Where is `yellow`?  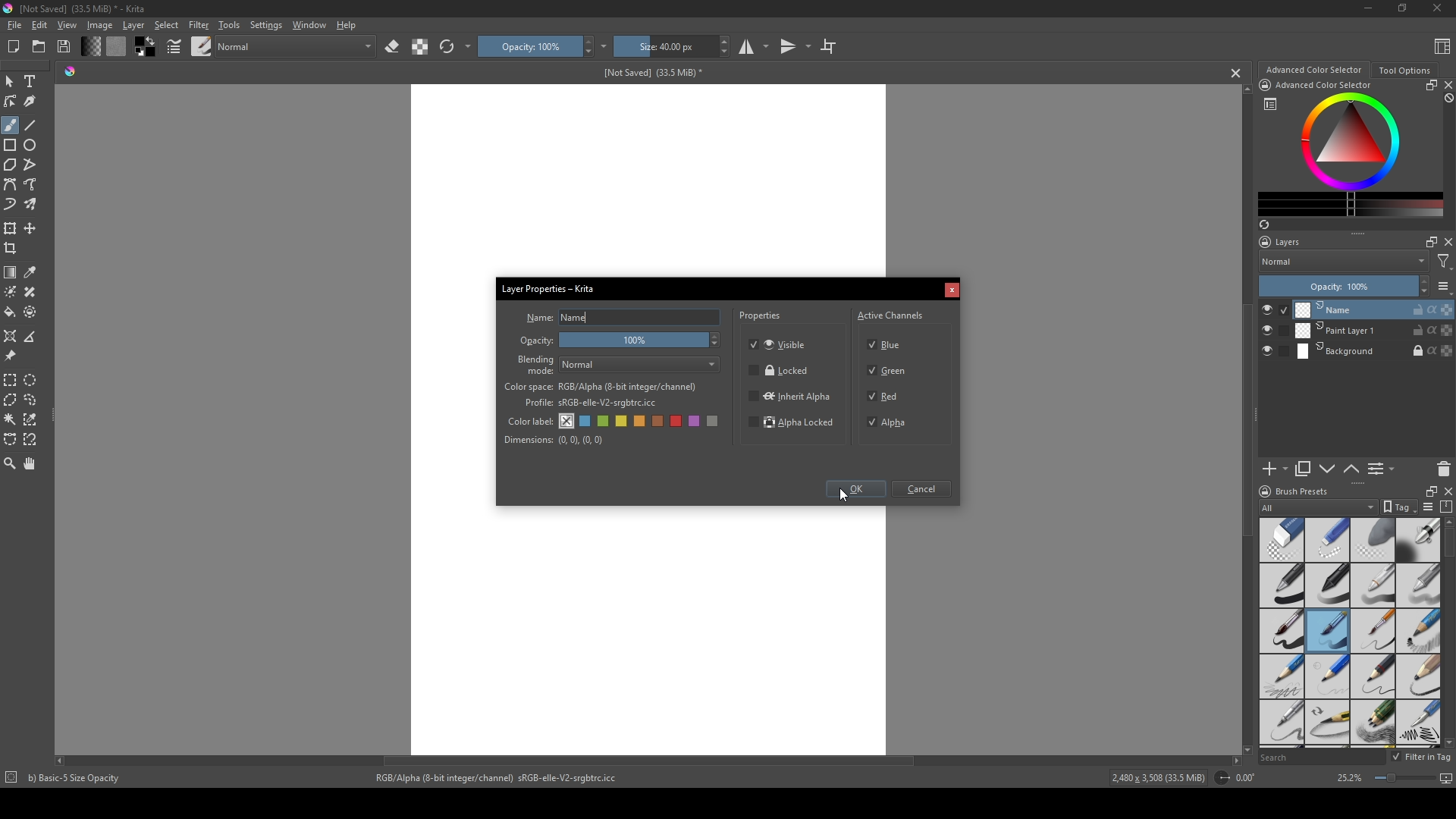 yellow is located at coordinates (641, 422).